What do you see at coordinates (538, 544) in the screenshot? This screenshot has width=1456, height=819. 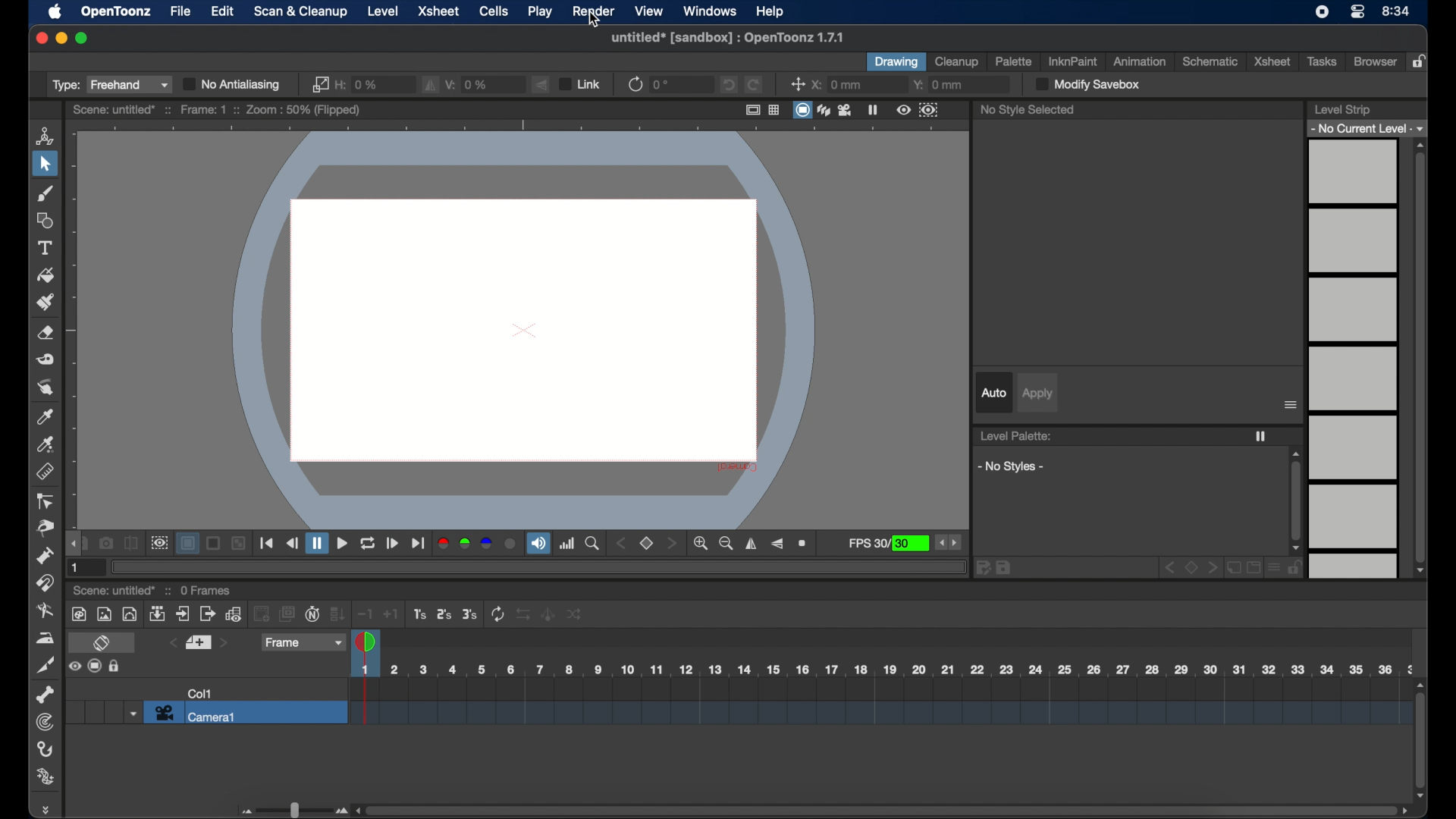 I see `soundtrack` at bounding box center [538, 544].